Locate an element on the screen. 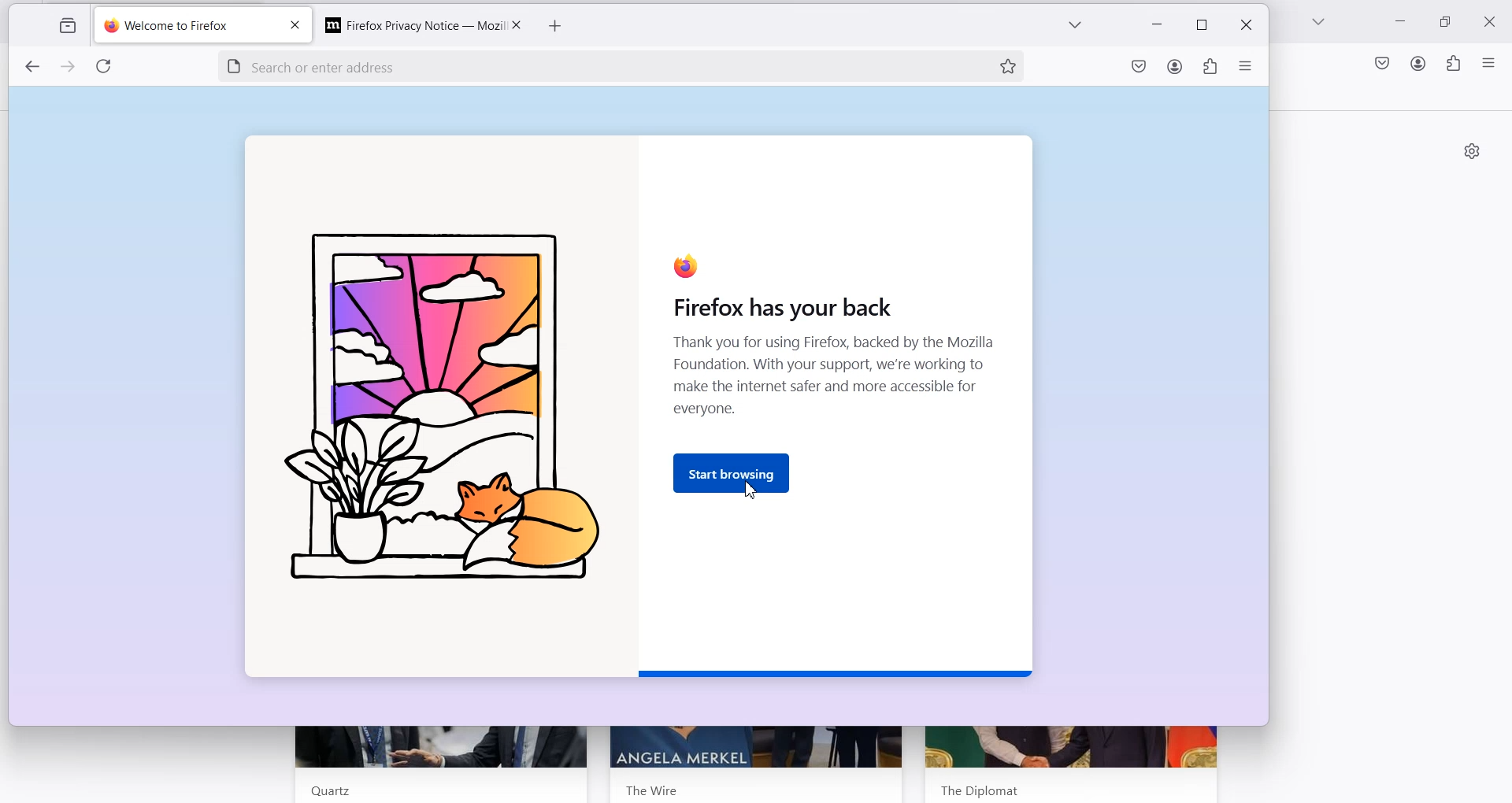 Image resolution: width=1512 pixels, height=803 pixels. Firefox Privacy Notice is located at coordinates (406, 24).